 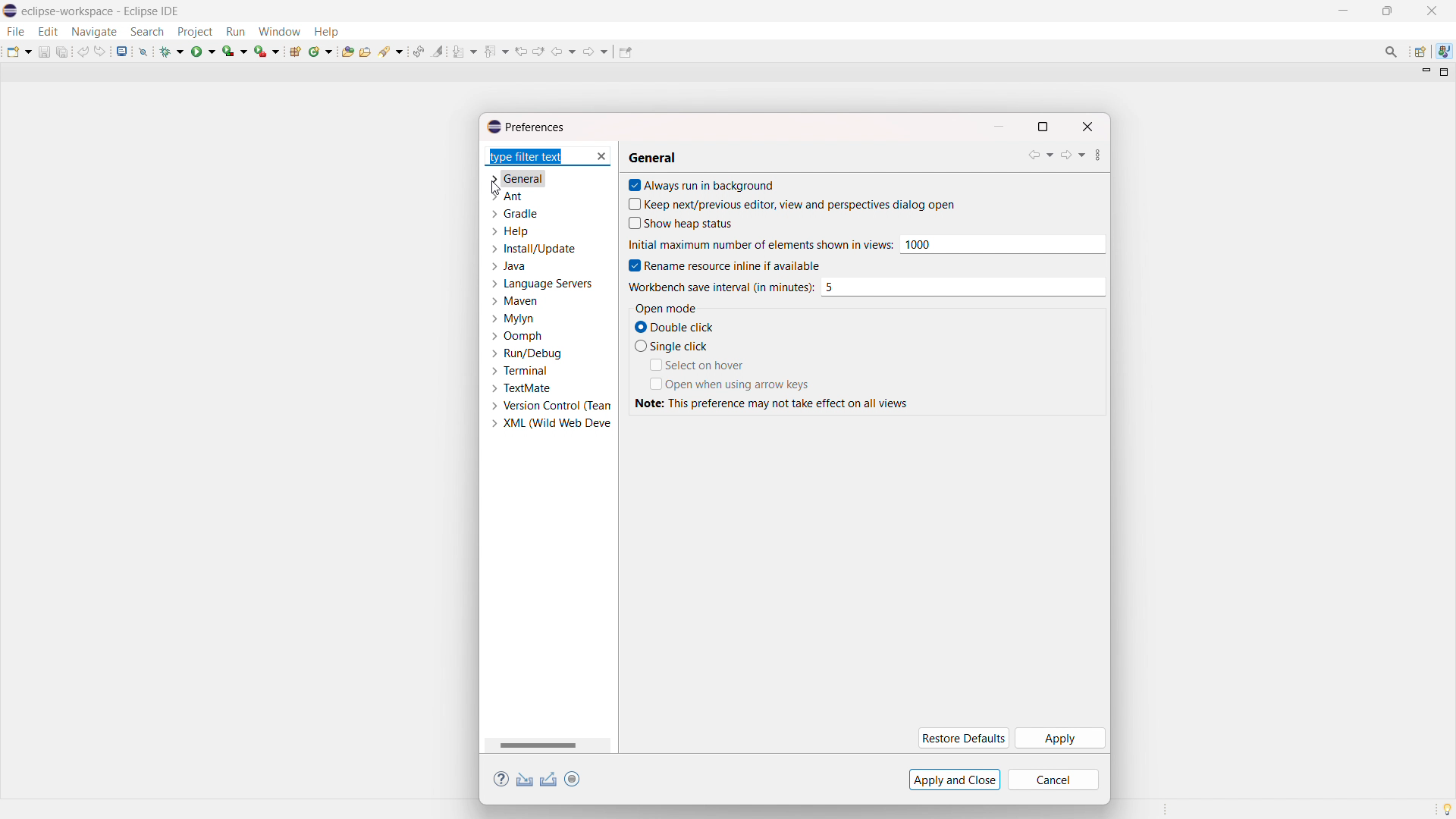 I want to click on minimize, so click(x=1347, y=11).